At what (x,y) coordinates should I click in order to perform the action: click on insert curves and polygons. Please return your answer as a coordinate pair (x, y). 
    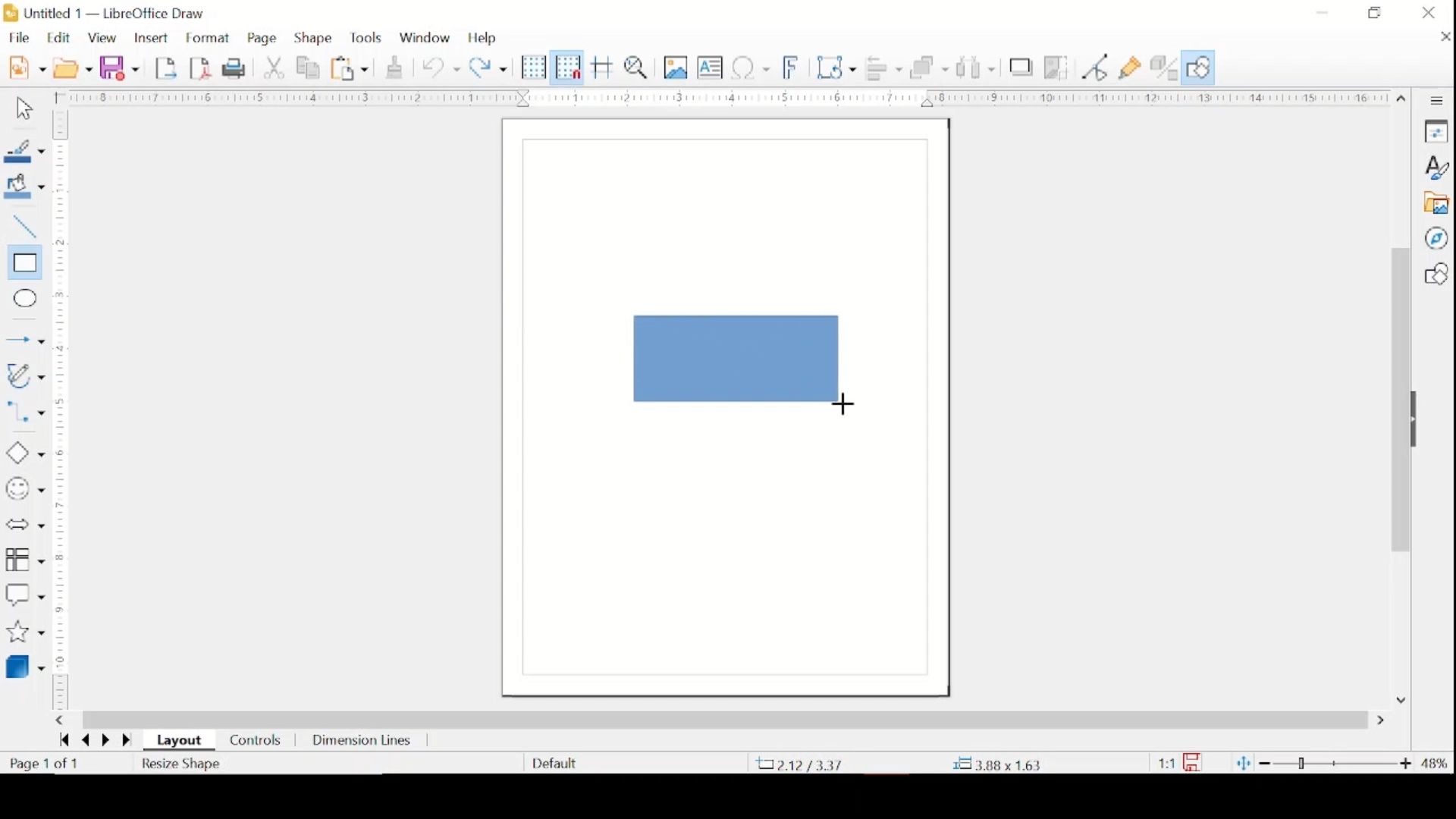
    Looking at the image, I should click on (24, 377).